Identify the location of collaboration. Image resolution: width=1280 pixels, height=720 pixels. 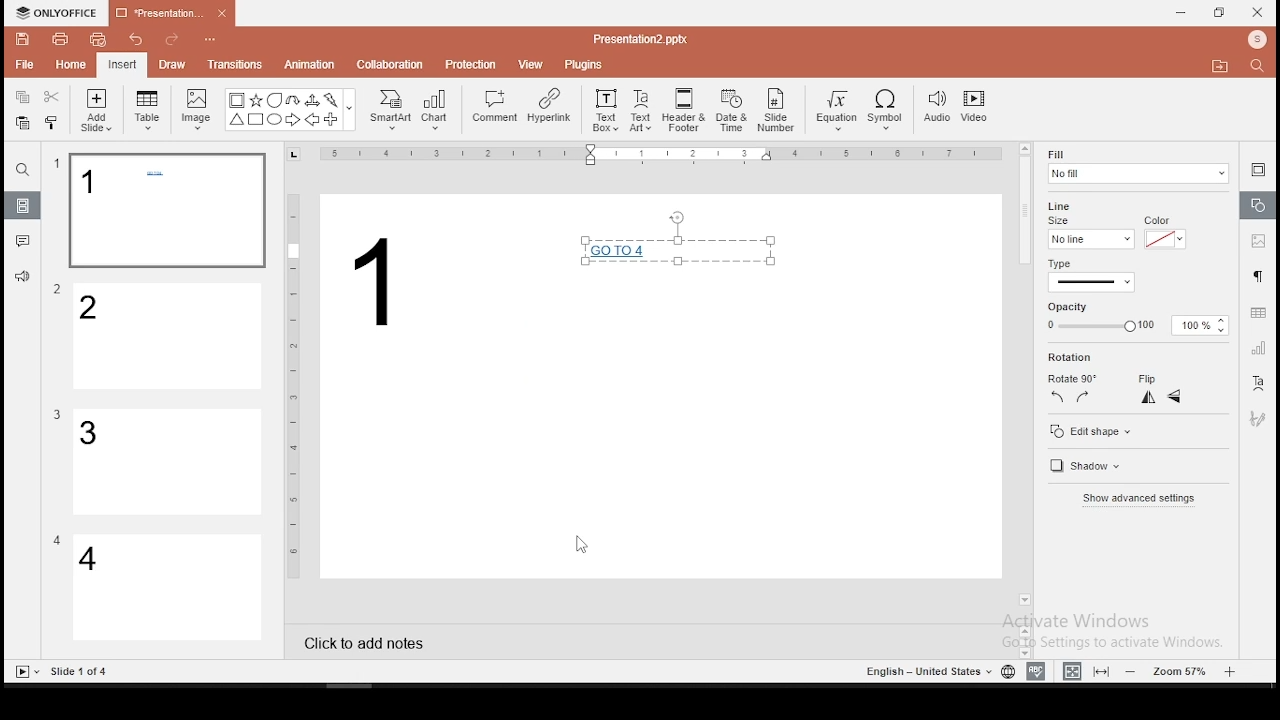
(392, 63).